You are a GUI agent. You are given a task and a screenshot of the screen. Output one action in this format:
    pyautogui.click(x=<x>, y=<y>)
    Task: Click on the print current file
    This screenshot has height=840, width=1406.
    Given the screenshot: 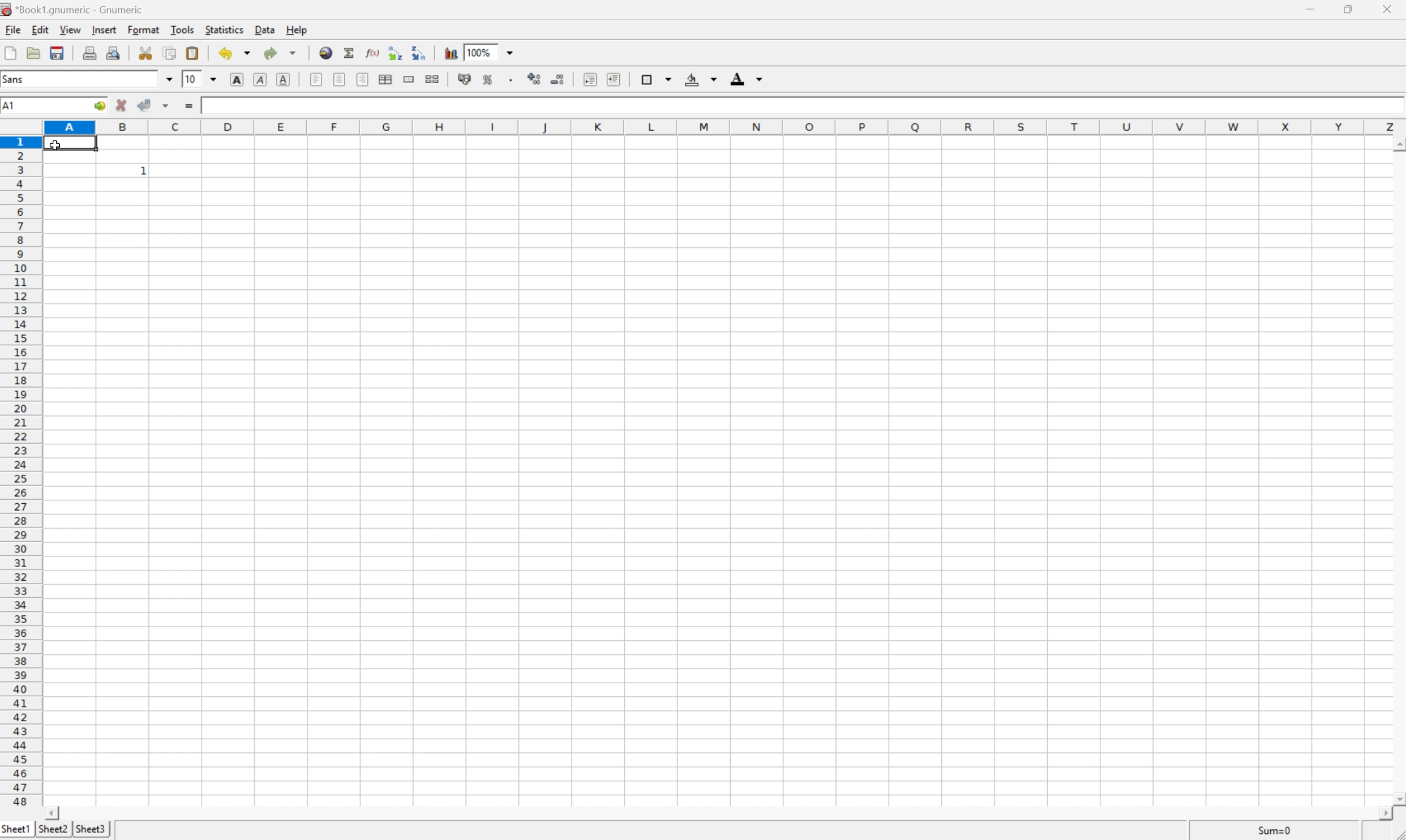 What is the action you would take?
    pyautogui.click(x=90, y=52)
    